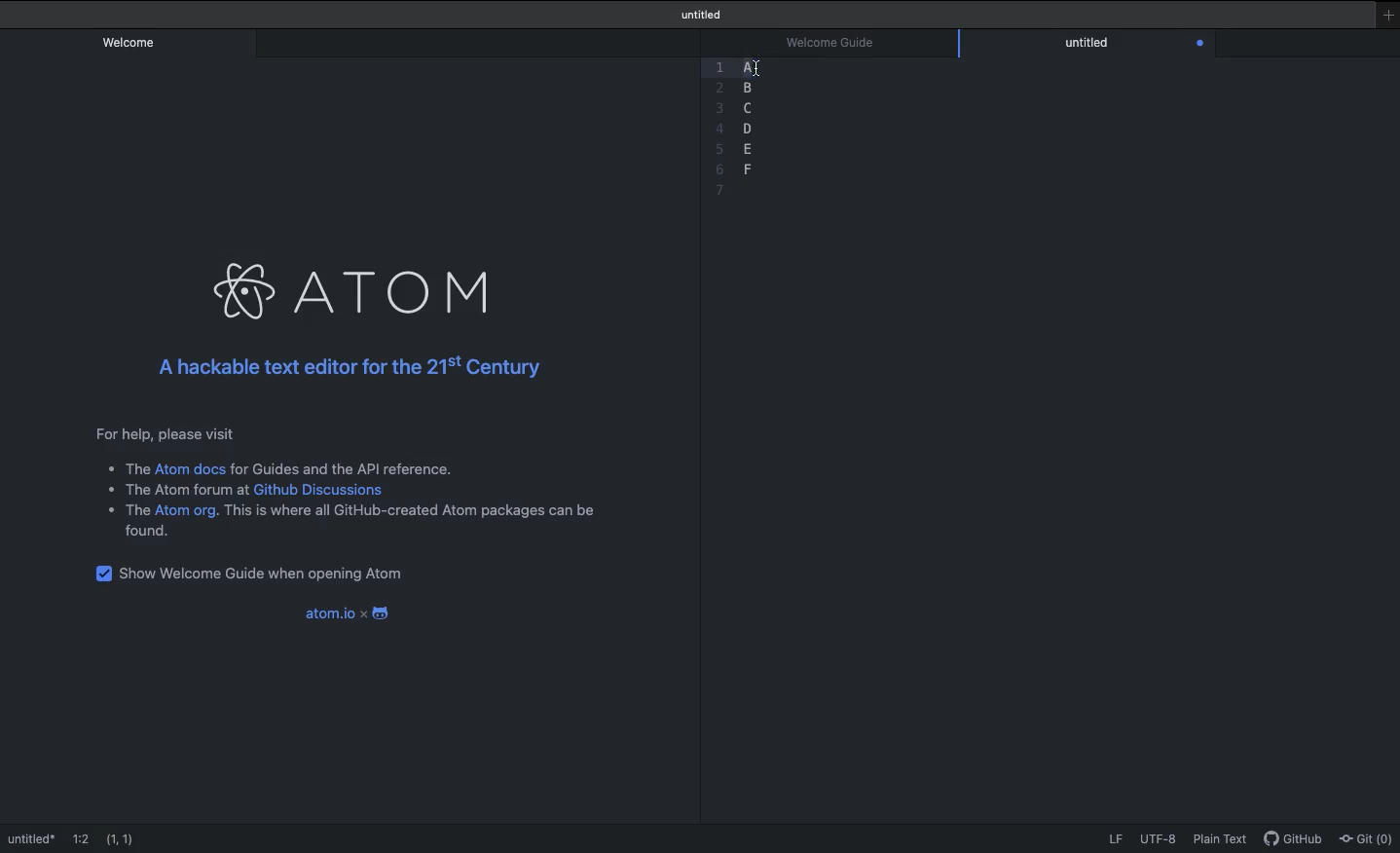 The width and height of the screenshot is (1400, 853). Describe the element at coordinates (1220, 840) in the screenshot. I see `Plain text` at that location.